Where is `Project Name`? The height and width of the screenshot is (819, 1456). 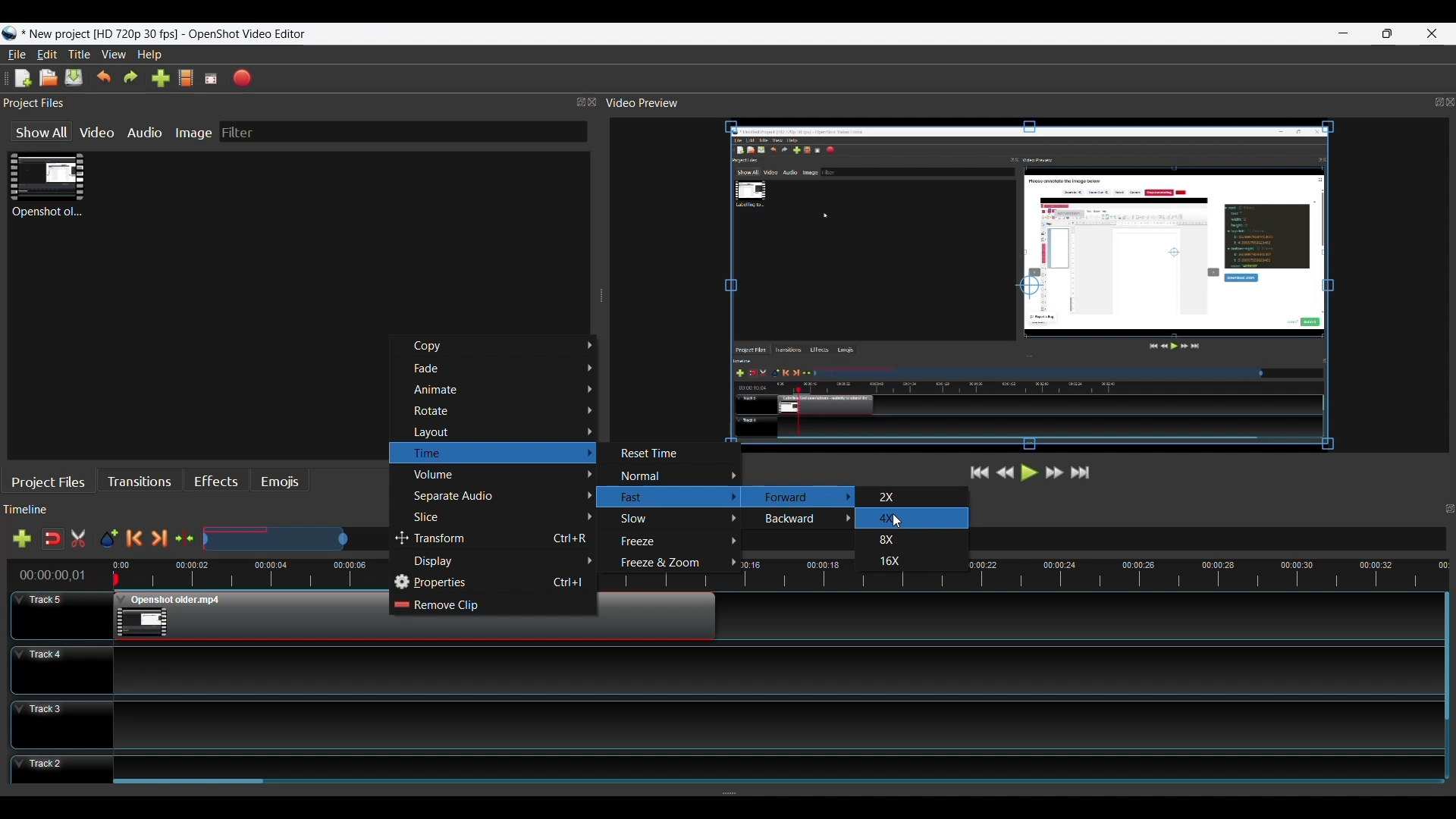
Project Name is located at coordinates (102, 35).